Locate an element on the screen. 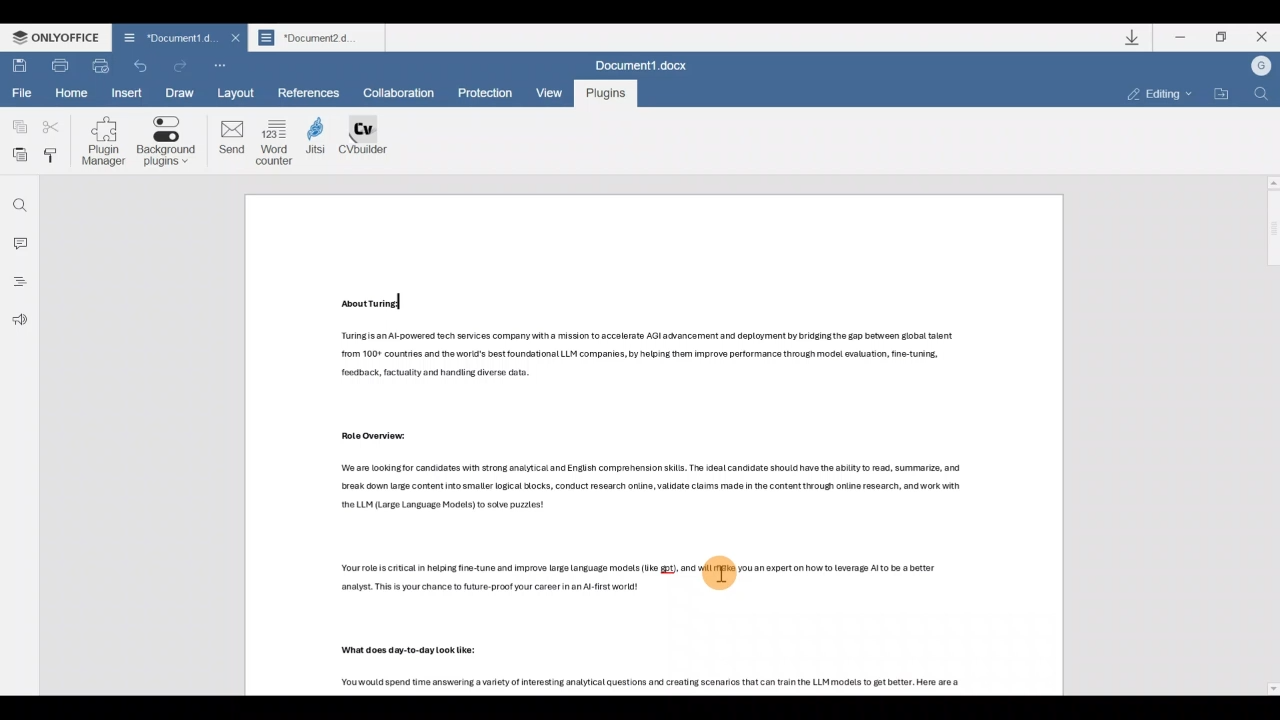 The image size is (1280, 720). Plugin manager is located at coordinates (102, 143).